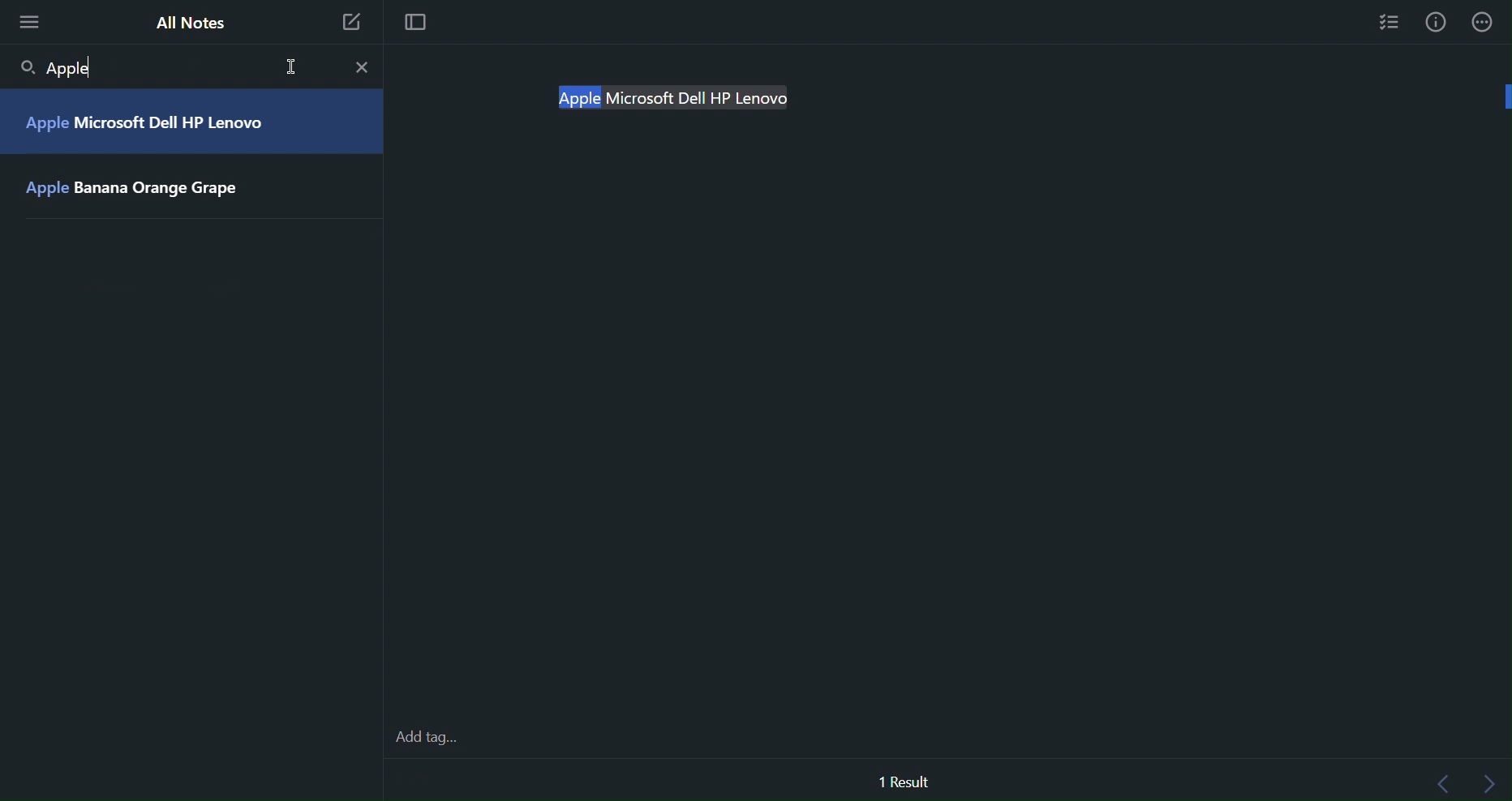 Image resolution: width=1512 pixels, height=801 pixels. Describe the element at coordinates (183, 124) in the screenshot. I see ` Microsoft Dell HP Lenovo` at that location.